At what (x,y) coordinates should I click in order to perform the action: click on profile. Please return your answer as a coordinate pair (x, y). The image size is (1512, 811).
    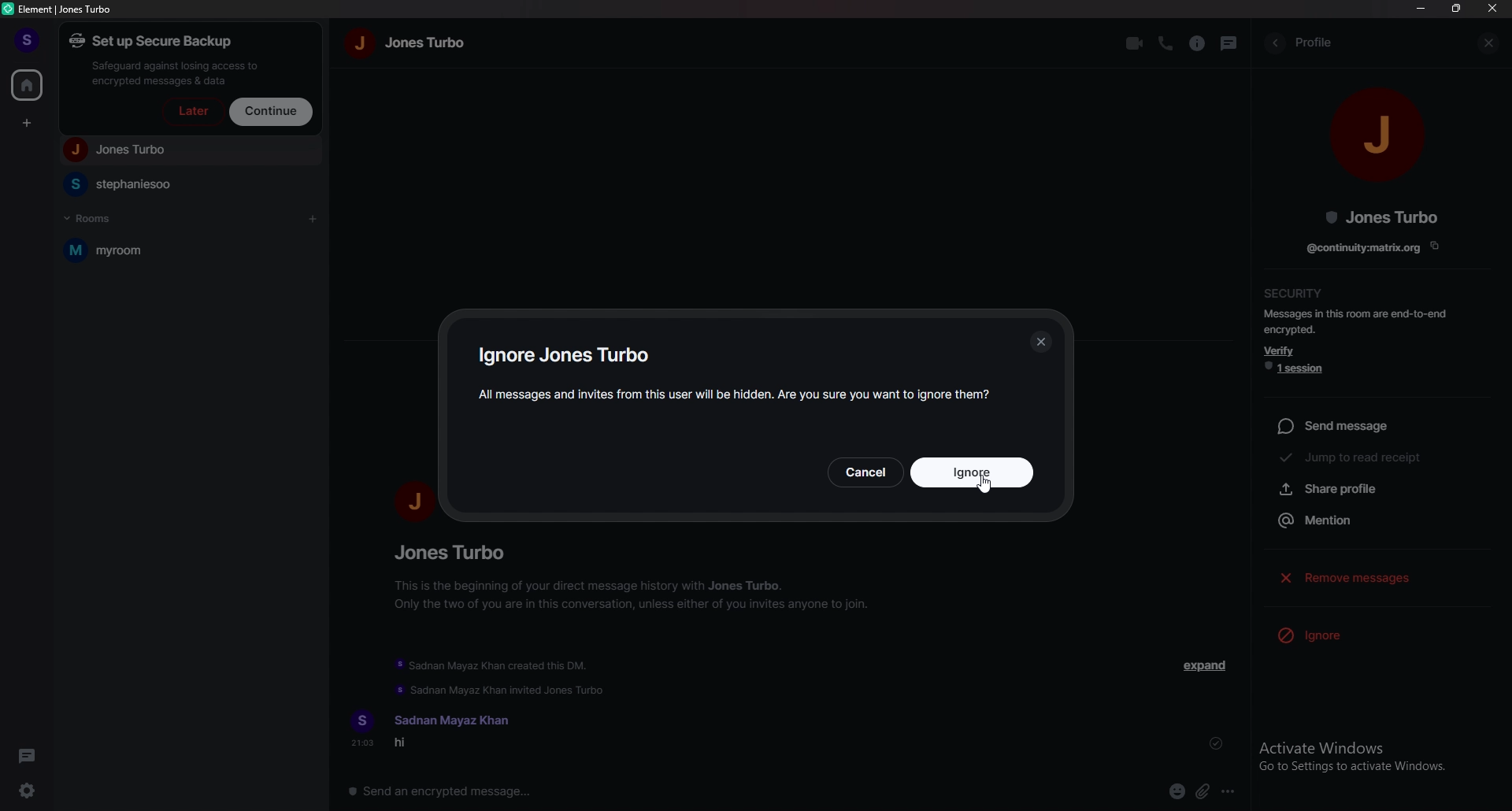
    Looking at the image, I should click on (30, 41).